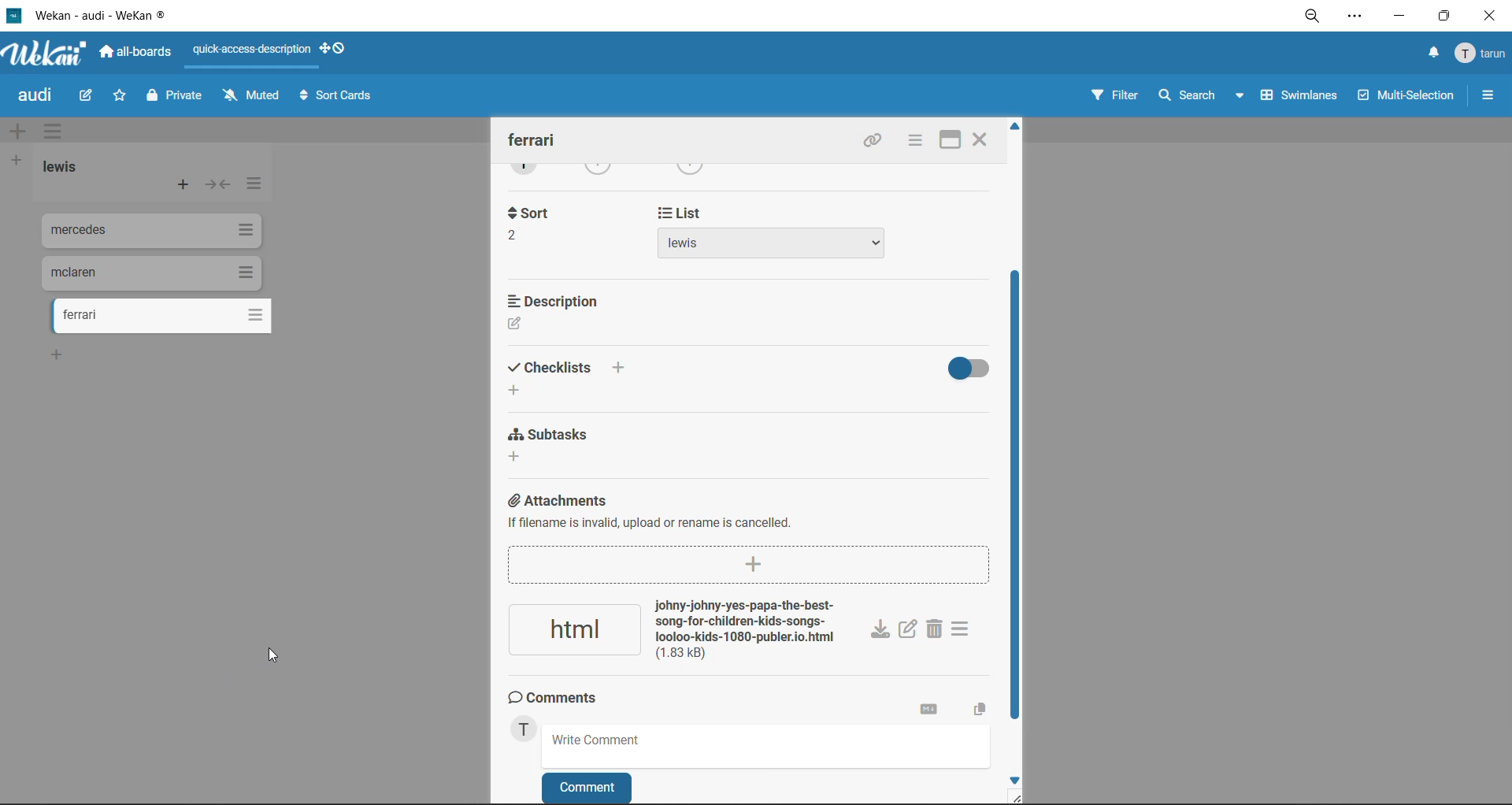 The width and height of the screenshot is (1512, 805). I want to click on sort cards, so click(336, 98).